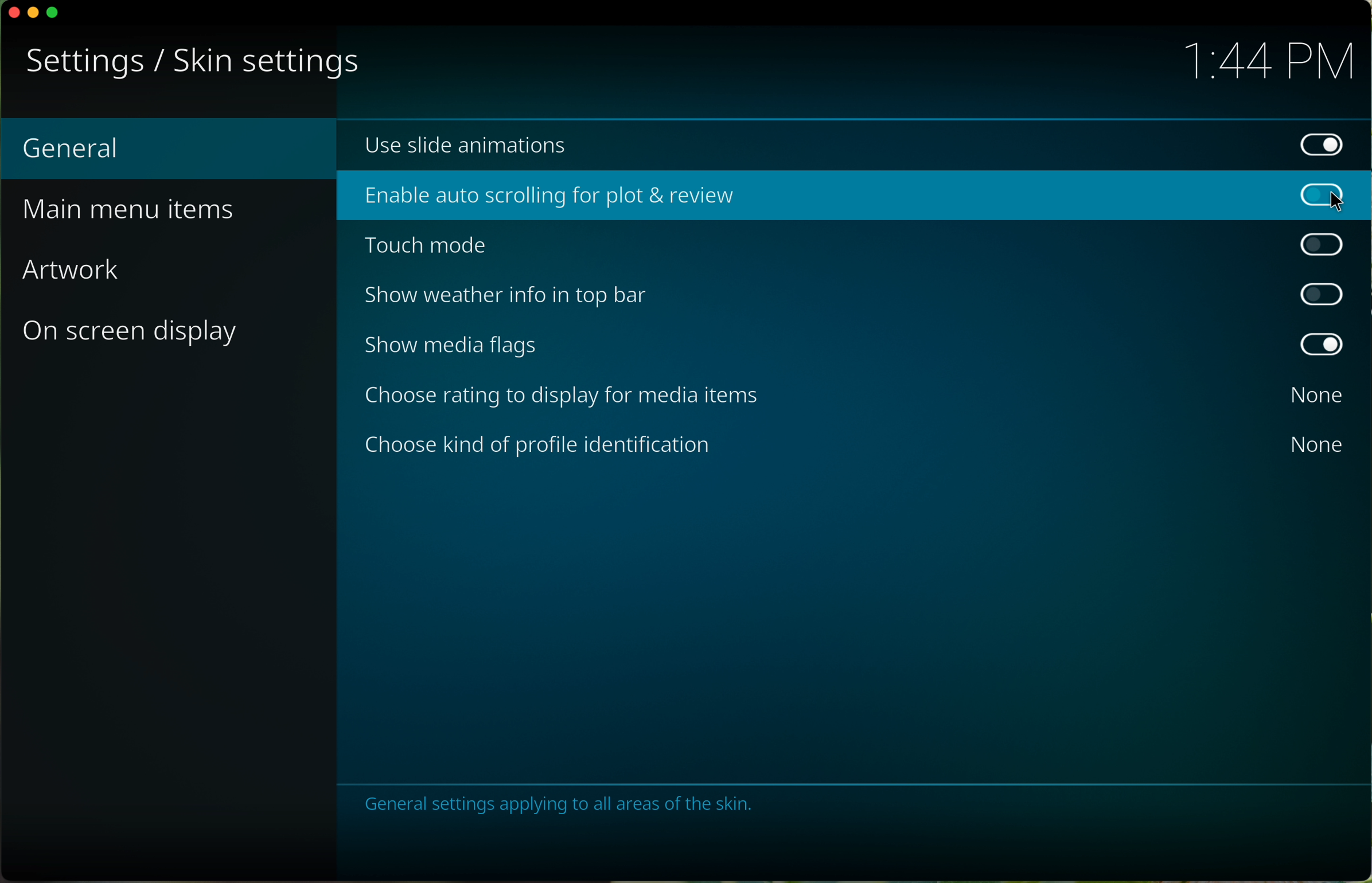 The height and width of the screenshot is (883, 1372). Describe the element at coordinates (556, 803) in the screenshot. I see `notes` at that location.